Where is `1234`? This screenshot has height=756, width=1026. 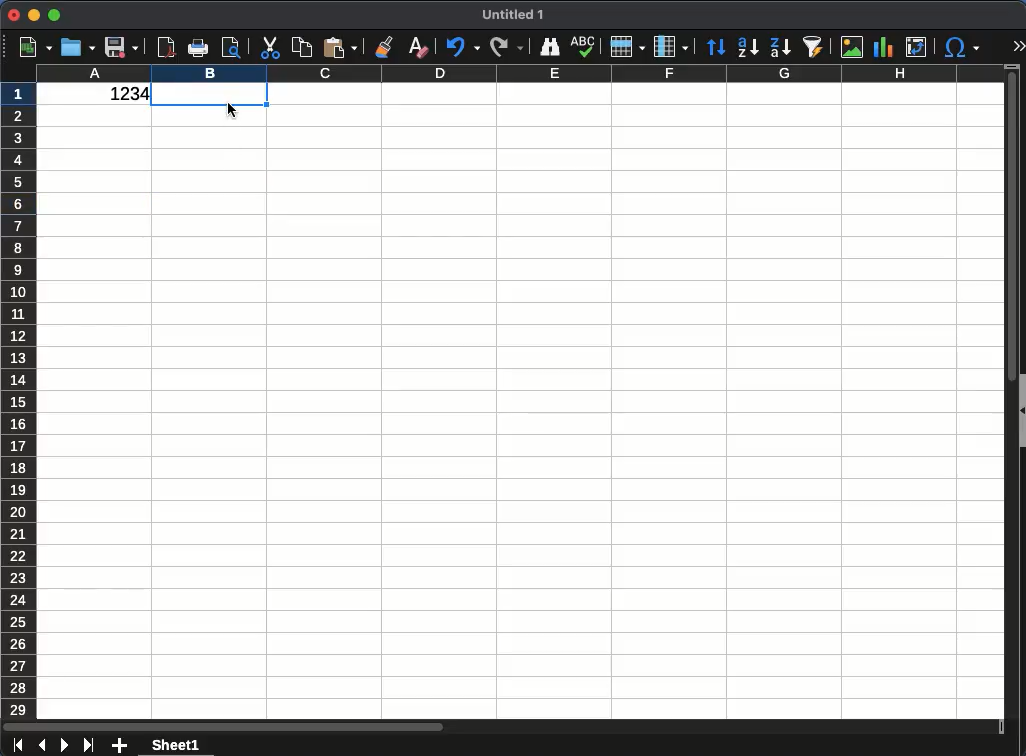 1234 is located at coordinates (124, 95).